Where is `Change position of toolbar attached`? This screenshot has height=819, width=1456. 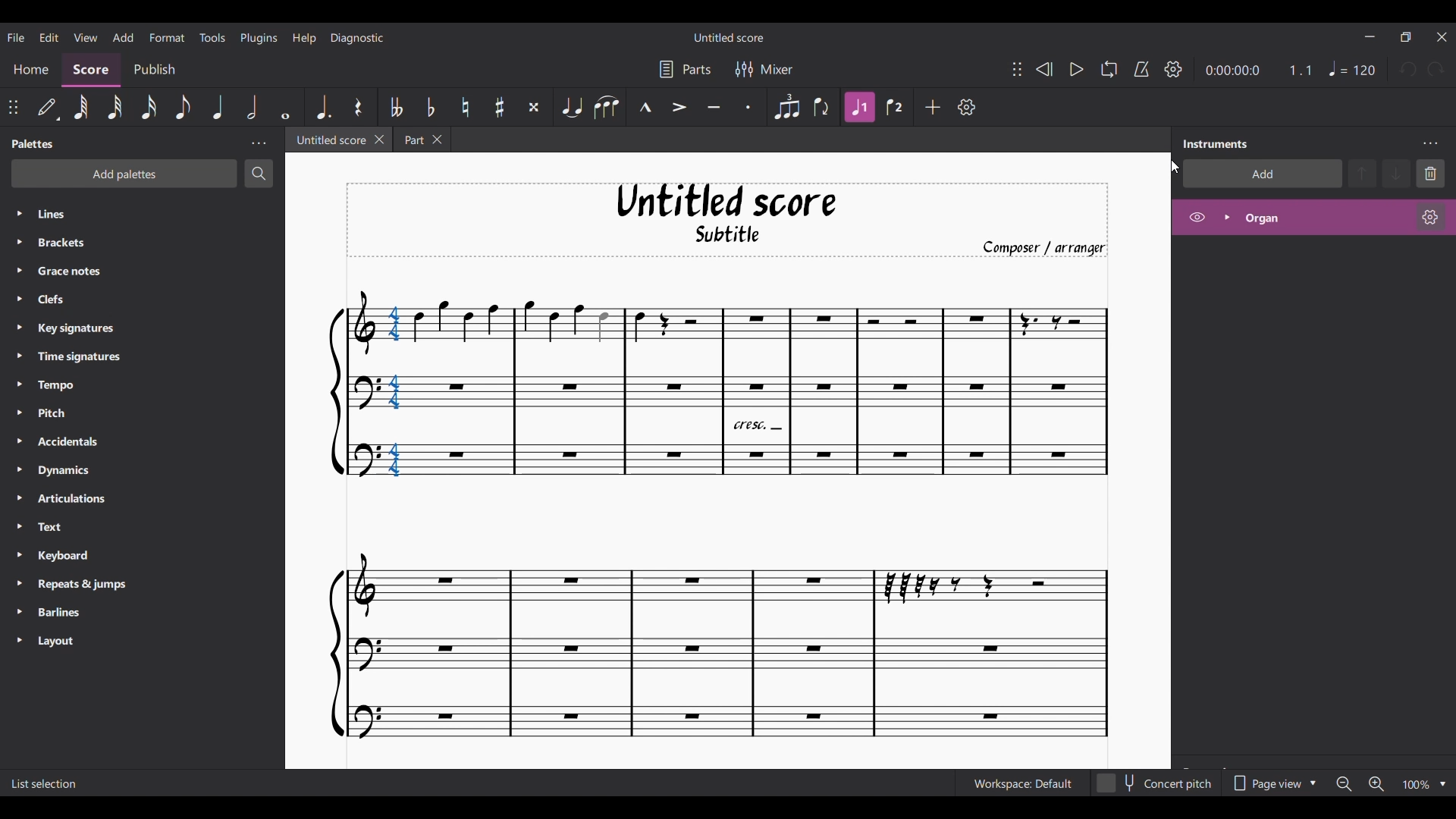
Change position of toolbar attached is located at coordinates (13, 107).